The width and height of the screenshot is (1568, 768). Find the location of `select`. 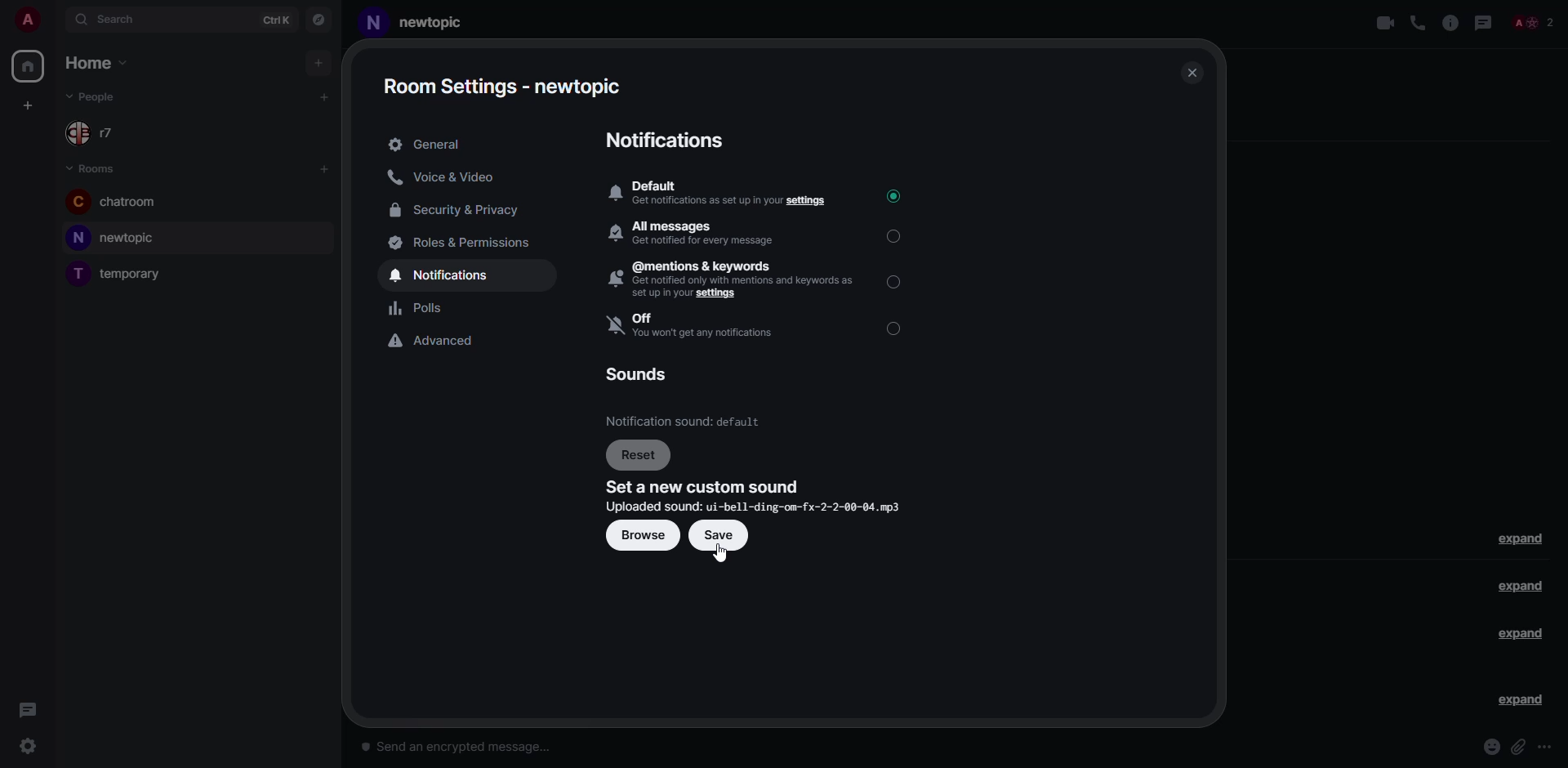

select is located at coordinates (896, 280).